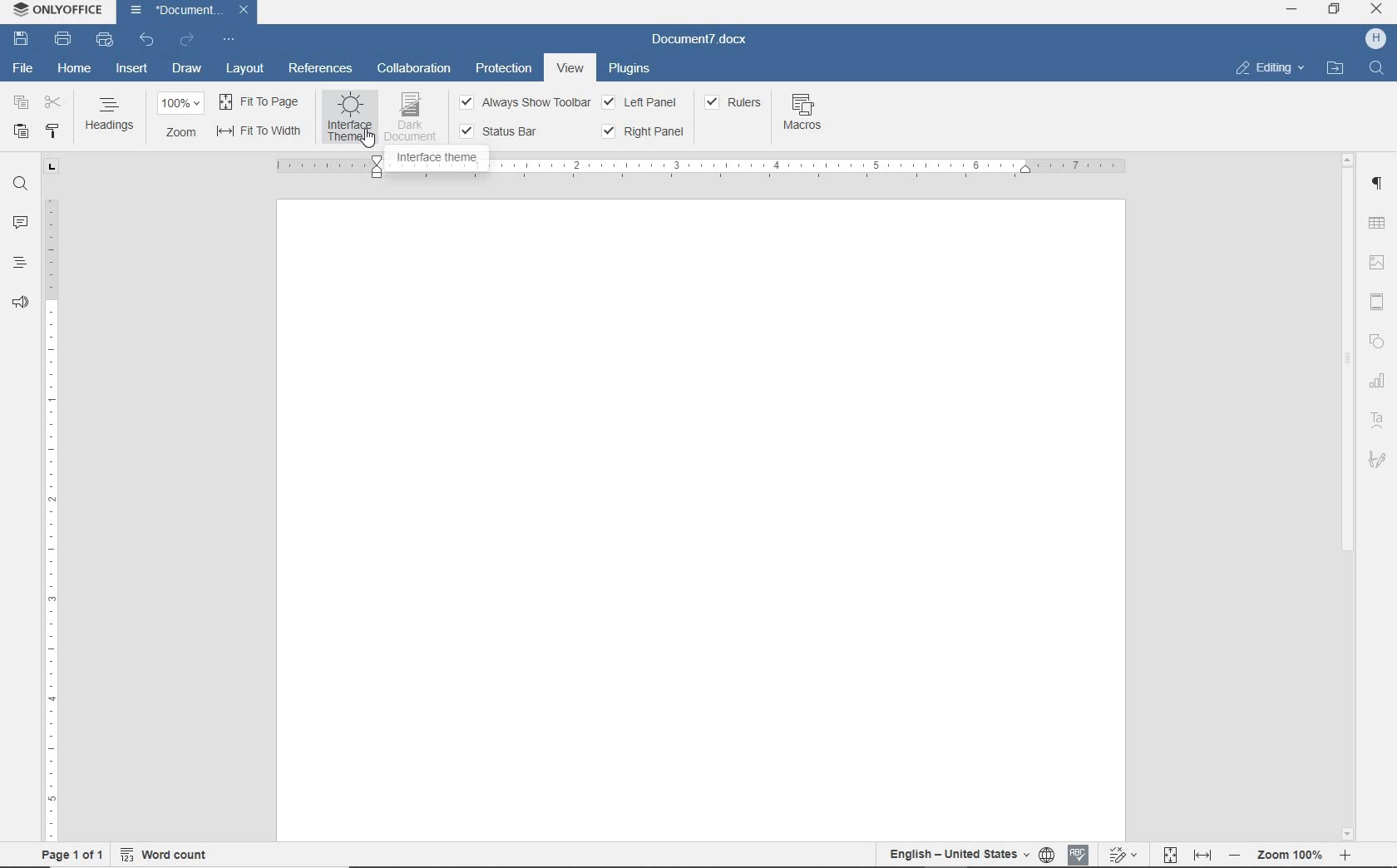 The height and width of the screenshot is (868, 1397). I want to click on HEADINGS, so click(19, 263).